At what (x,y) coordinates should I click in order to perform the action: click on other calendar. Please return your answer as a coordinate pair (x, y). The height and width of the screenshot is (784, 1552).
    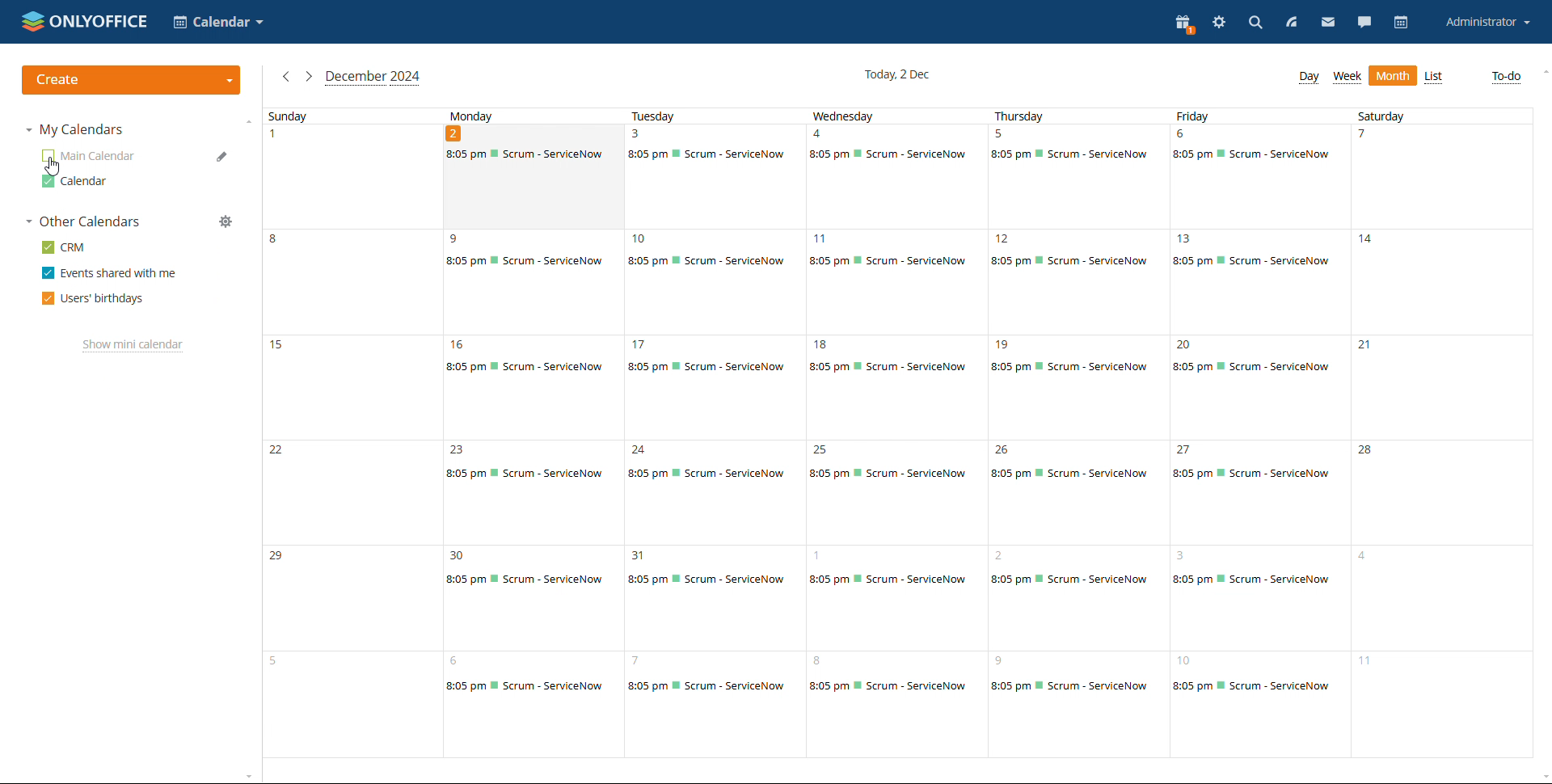
    Looking at the image, I should click on (85, 182).